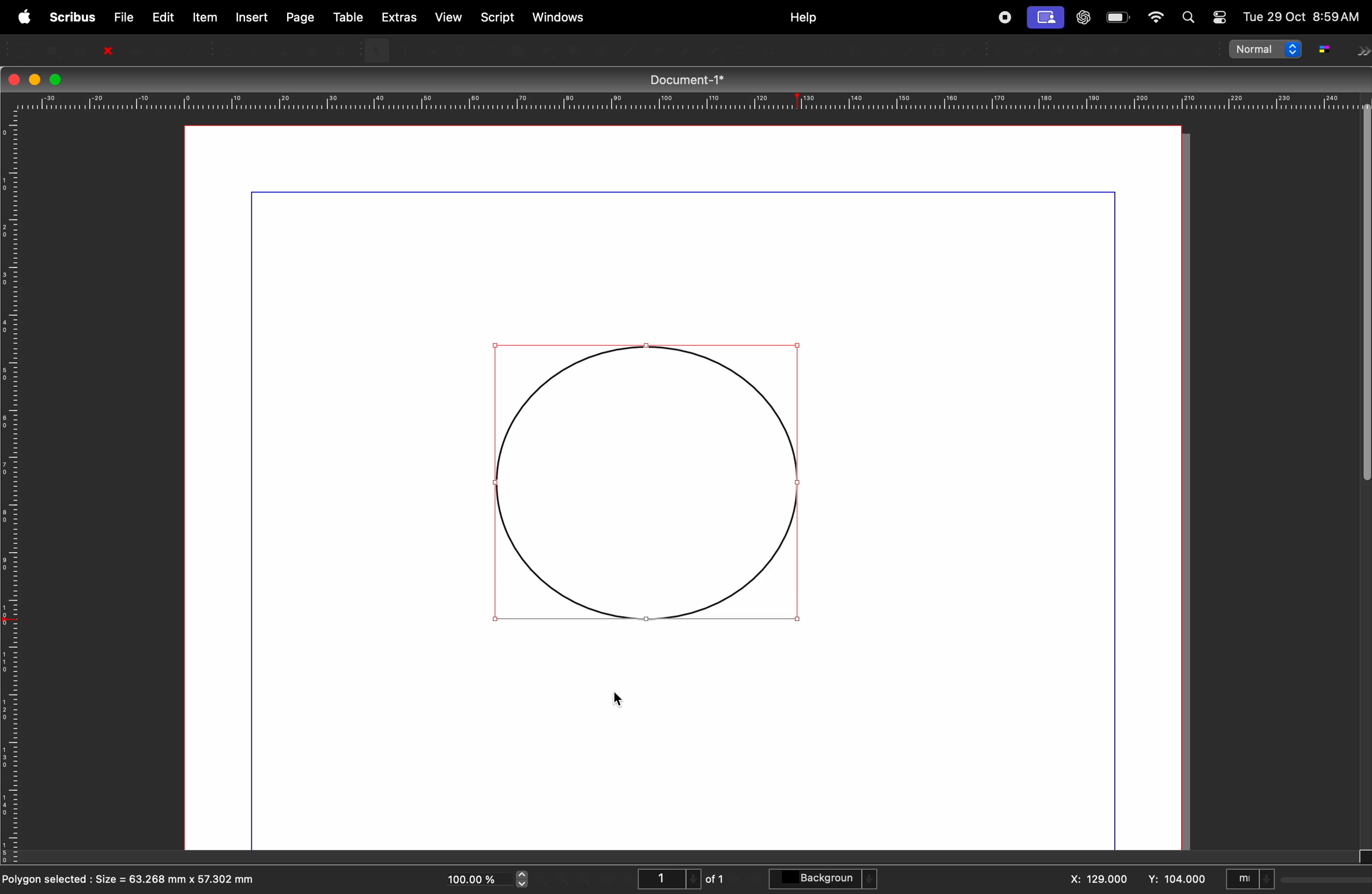 This screenshot has height=894, width=1372. What do you see at coordinates (742, 51) in the screenshot?
I see `rotate item` at bounding box center [742, 51].